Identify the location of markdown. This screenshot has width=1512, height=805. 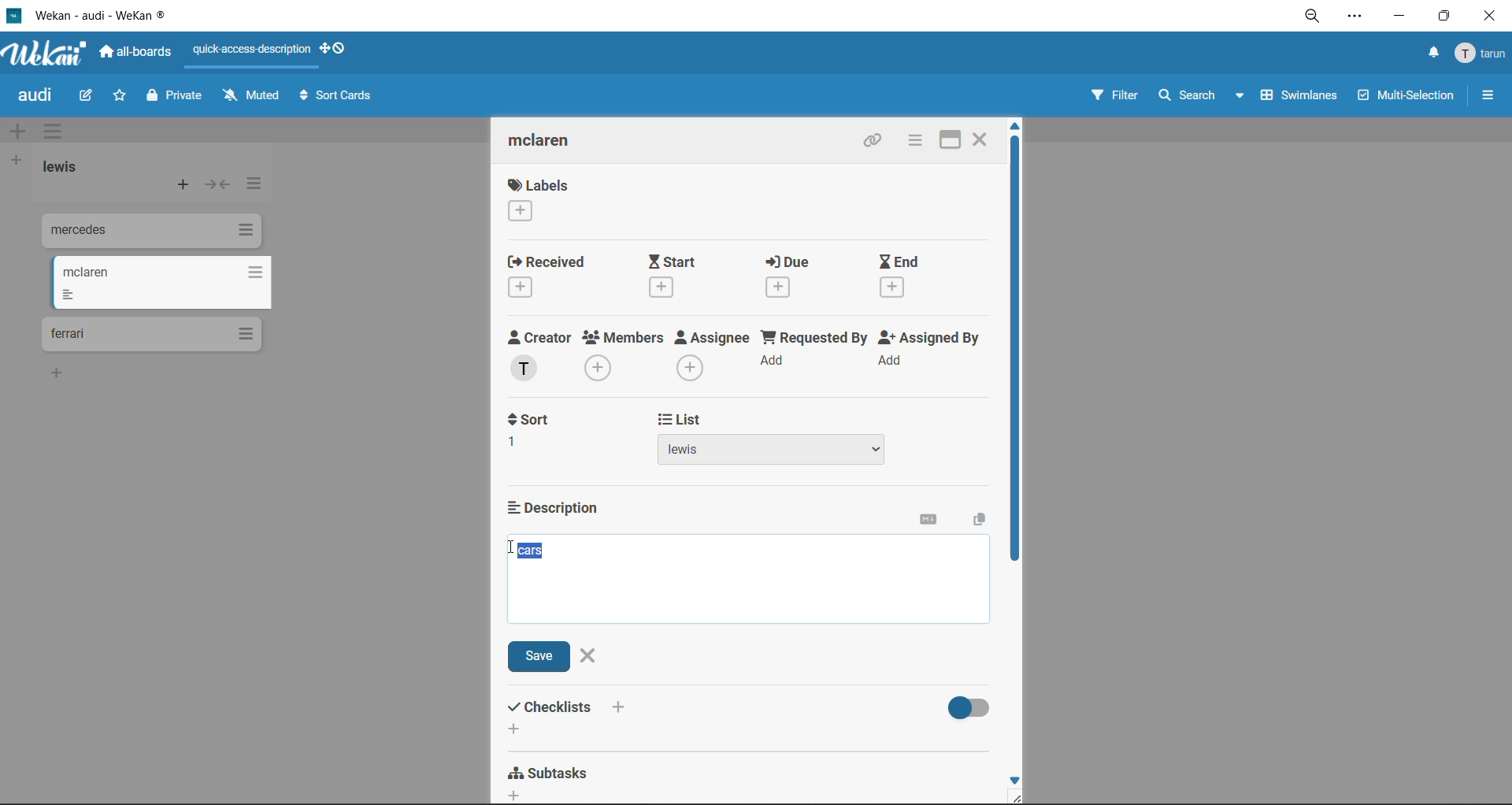
(933, 522).